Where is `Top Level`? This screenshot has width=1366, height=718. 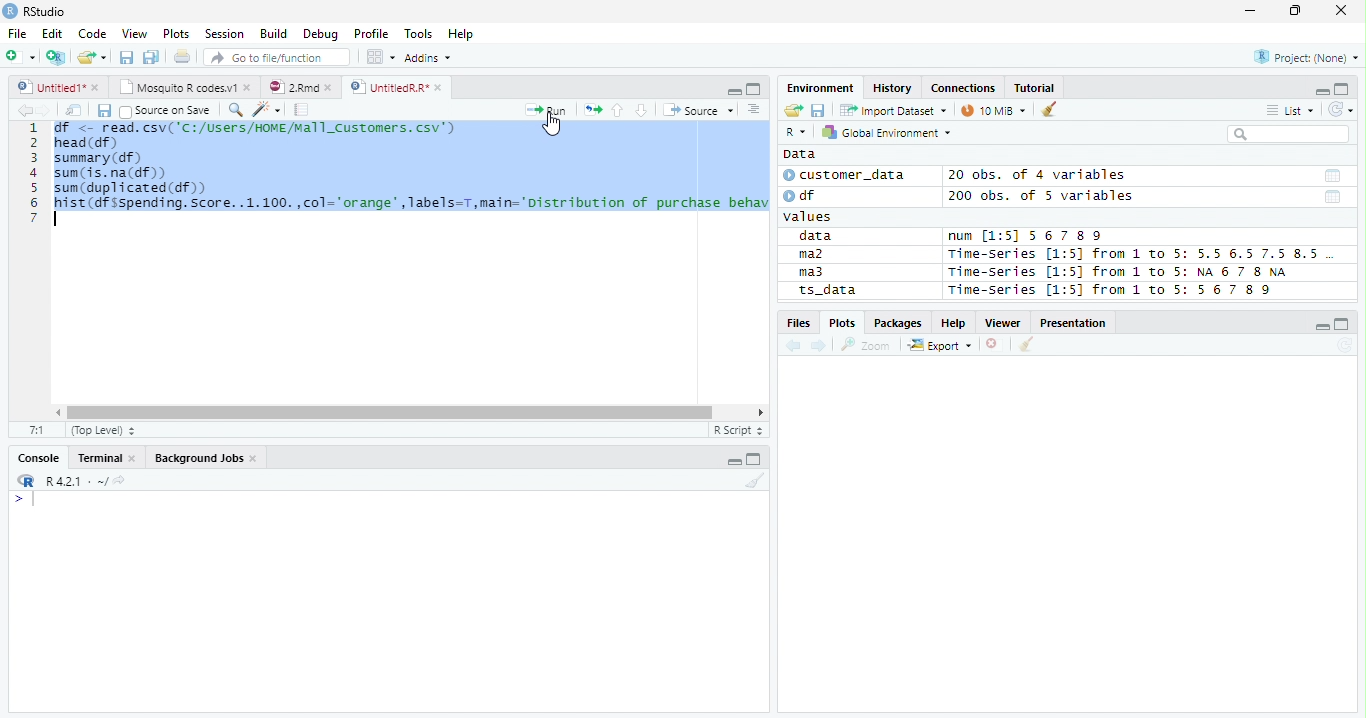 Top Level is located at coordinates (101, 431).